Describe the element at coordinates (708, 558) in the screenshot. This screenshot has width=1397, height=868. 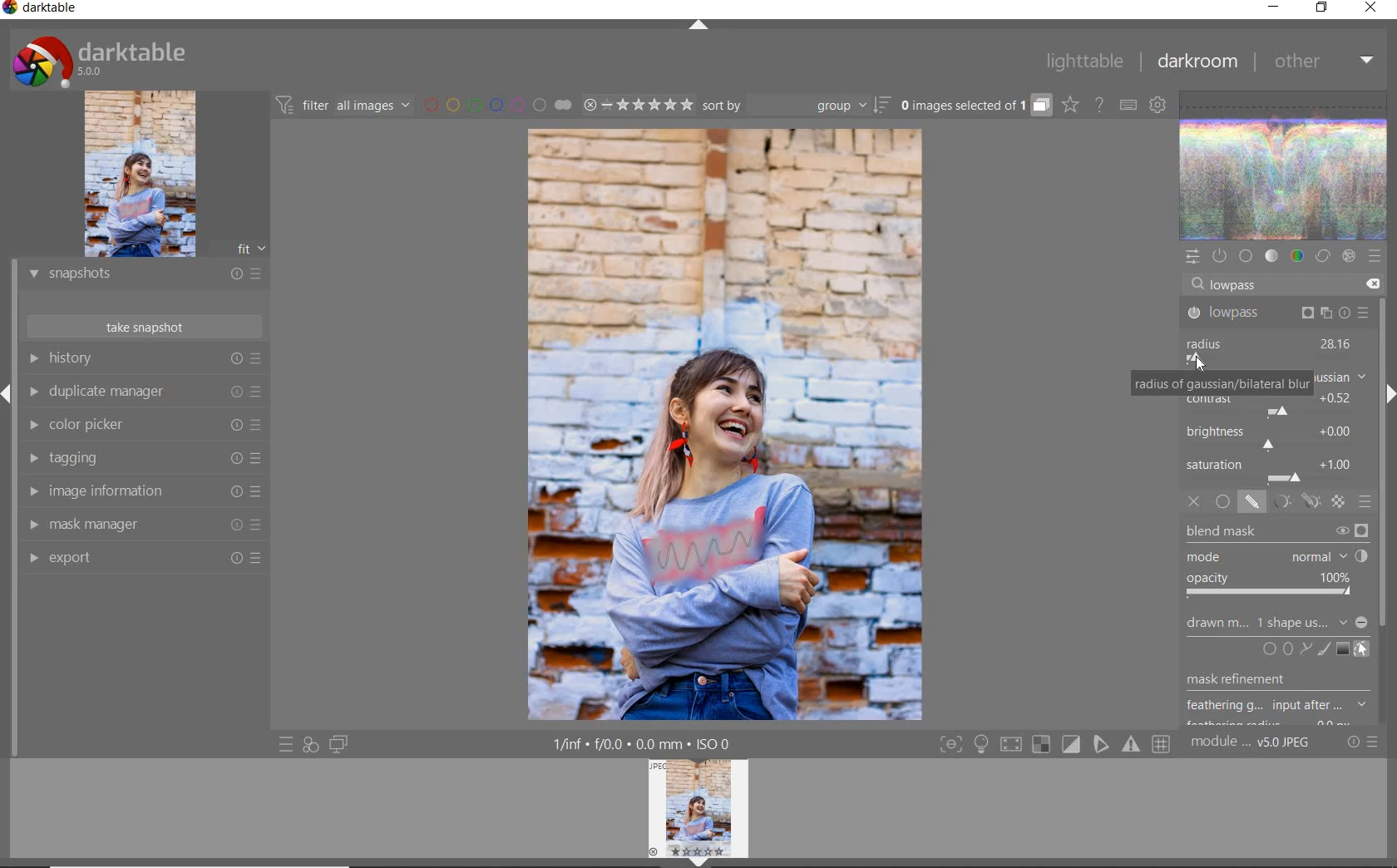
I see `Applied painterly effect using blur and contrast.` at that location.